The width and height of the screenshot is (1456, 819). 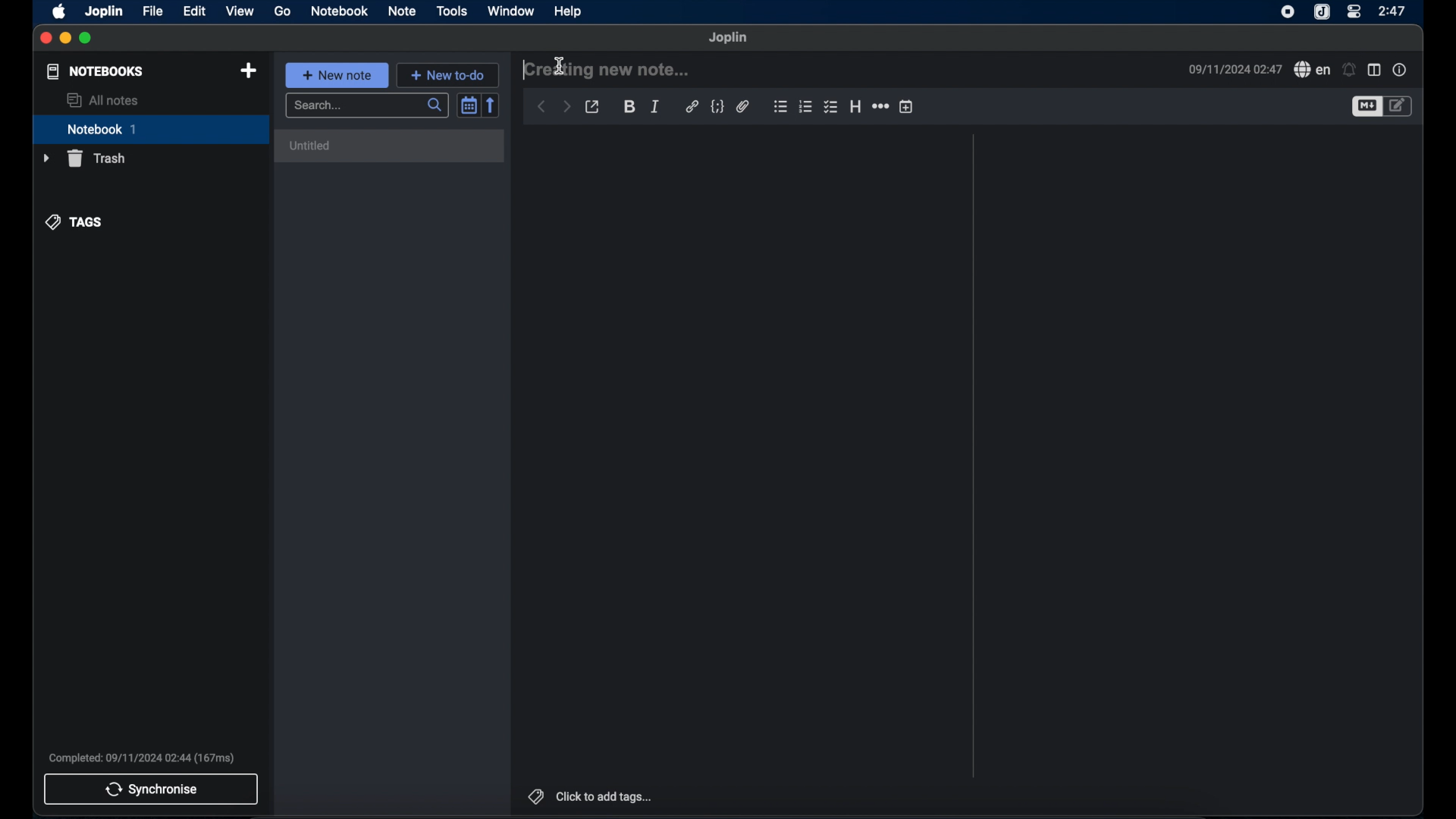 What do you see at coordinates (1235, 68) in the screenshot?
I see `09/11/2024 02:47` at bounding box center [1235, 68].